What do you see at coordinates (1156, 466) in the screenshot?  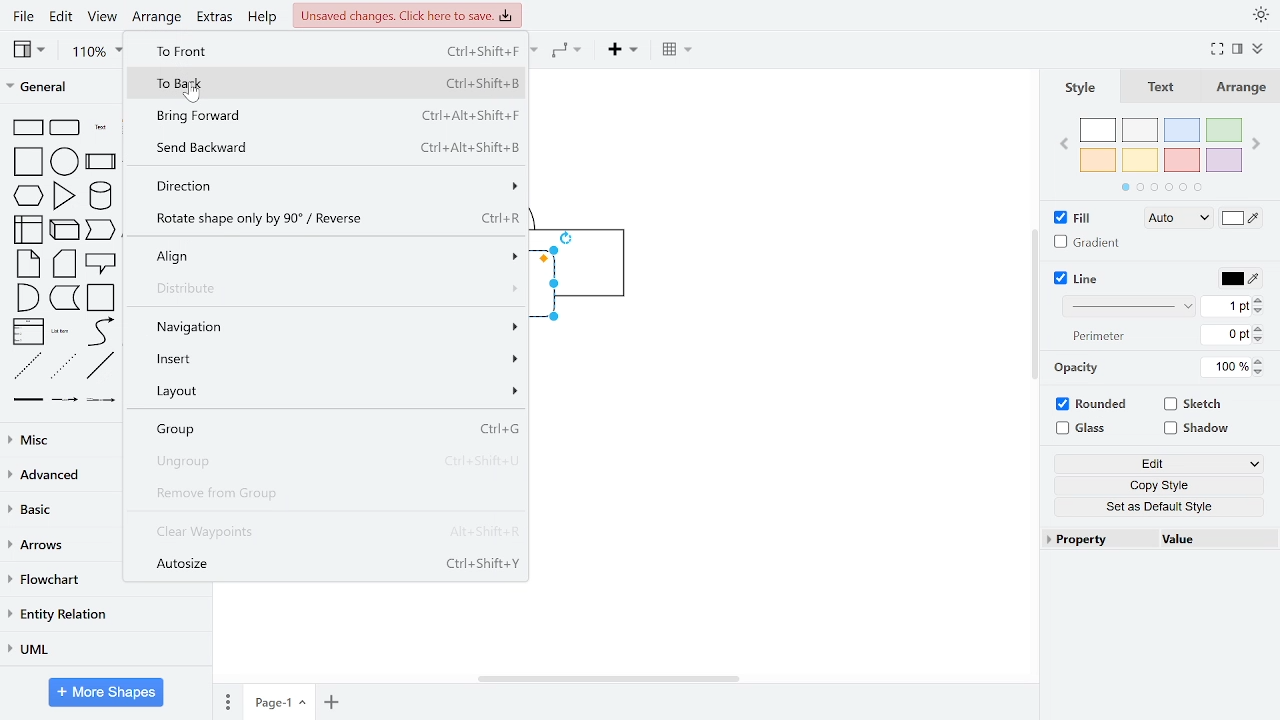 I see `edit` at bounding box center [1156, 466].